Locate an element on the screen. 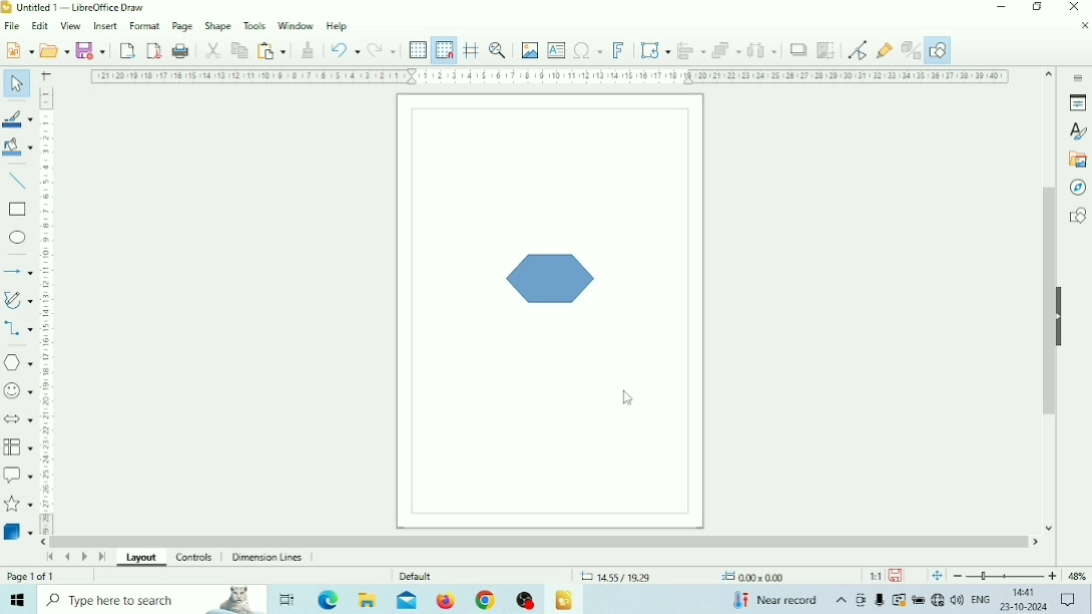 This screenshot has height=614, width=1092. Edit is located at coordinates (40, 26).